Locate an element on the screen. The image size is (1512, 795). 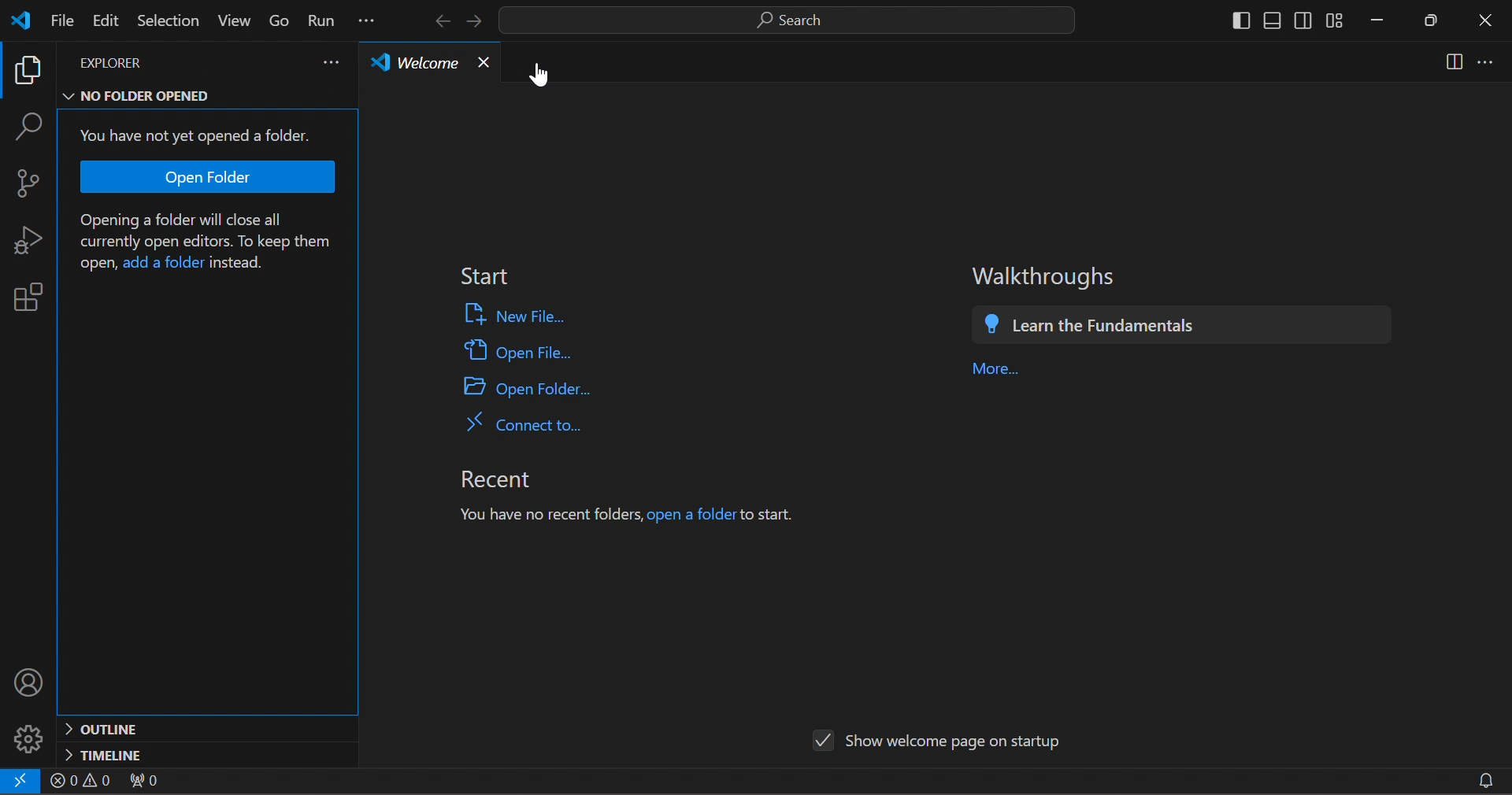
next is located at coordinates (480, 21).